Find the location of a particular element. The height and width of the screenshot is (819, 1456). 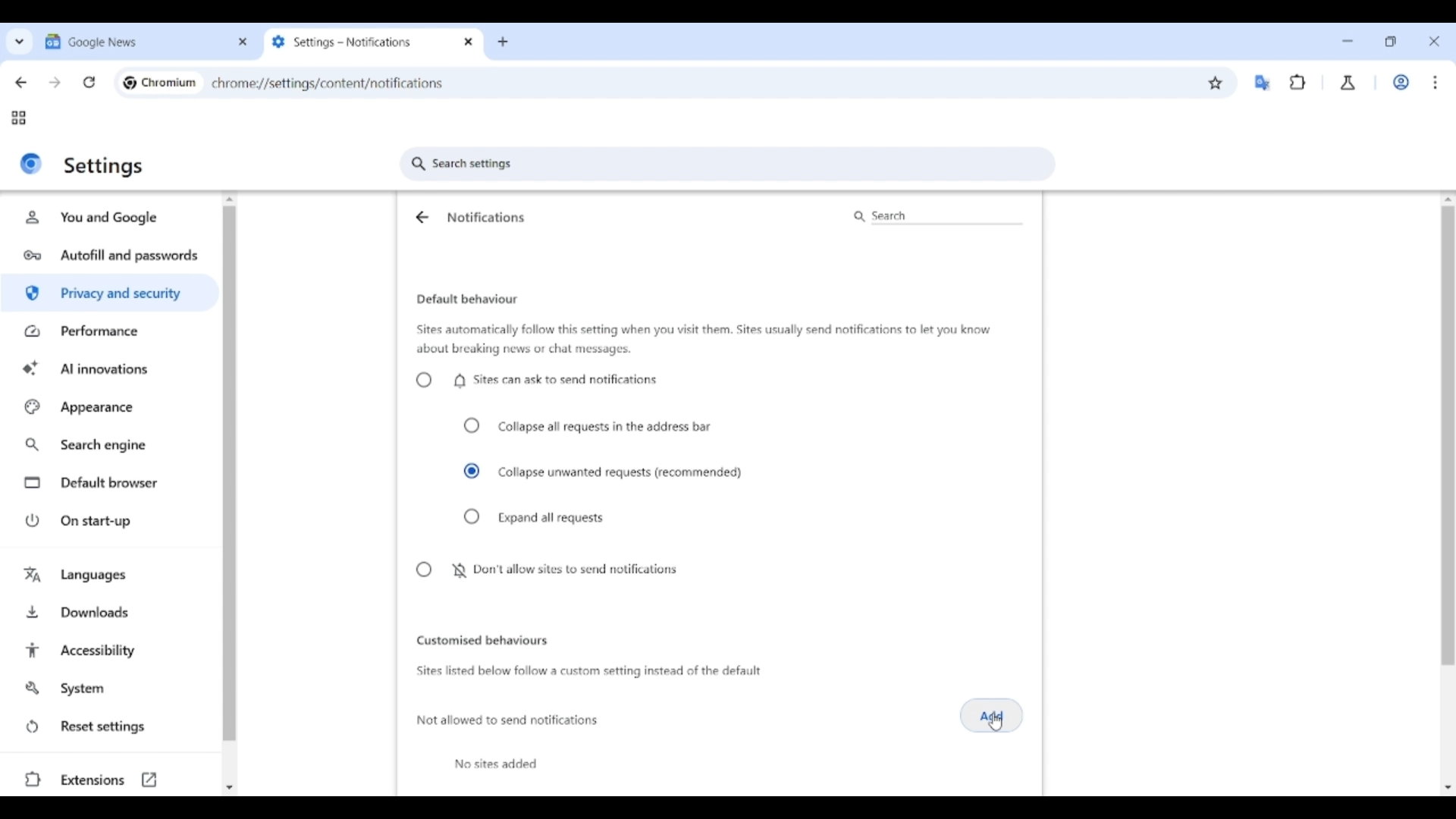

Close interface is located at coordinates (1434, 41).